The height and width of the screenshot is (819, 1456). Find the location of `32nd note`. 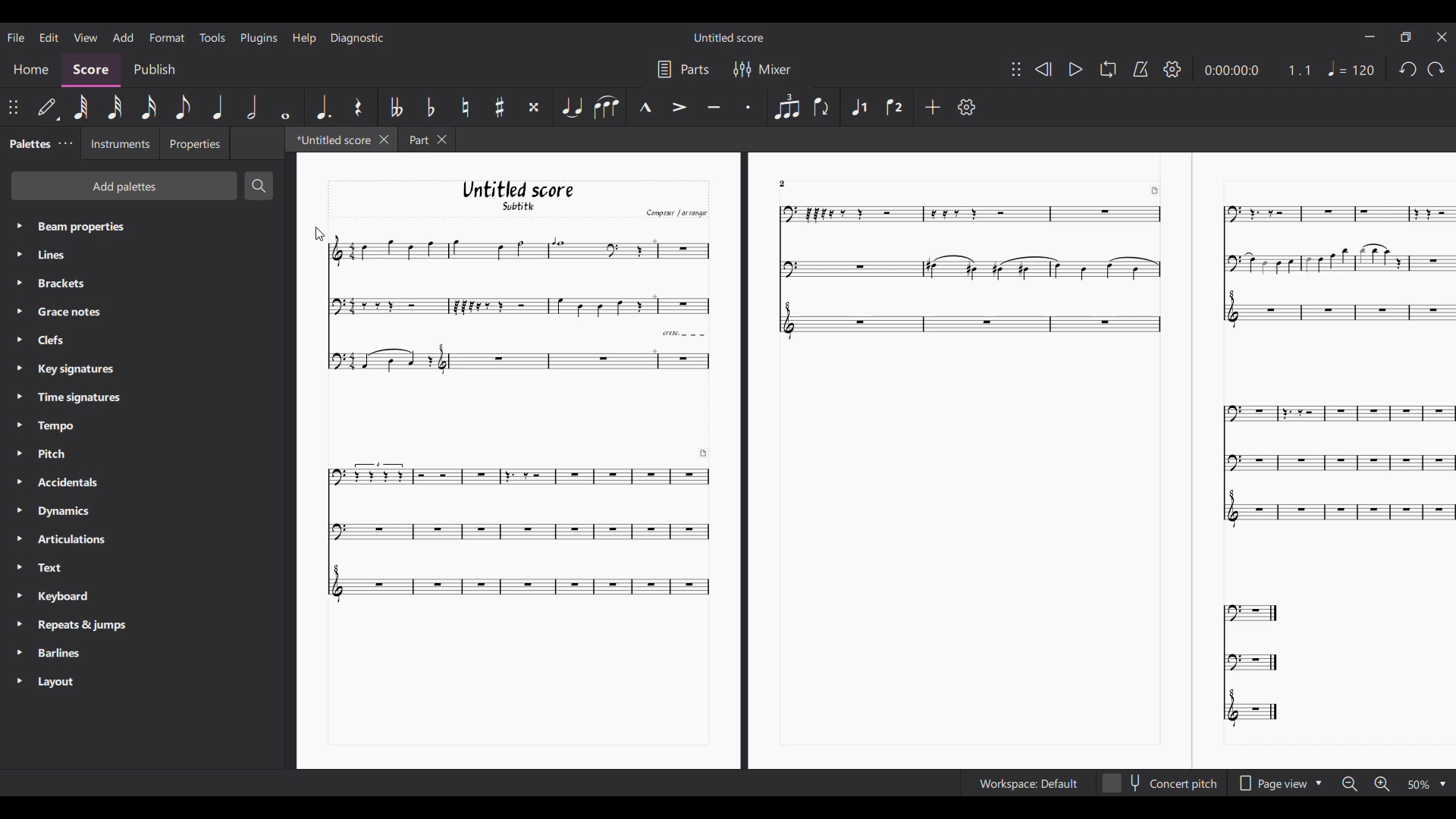

32nd note is located at coordinates (116, 107).